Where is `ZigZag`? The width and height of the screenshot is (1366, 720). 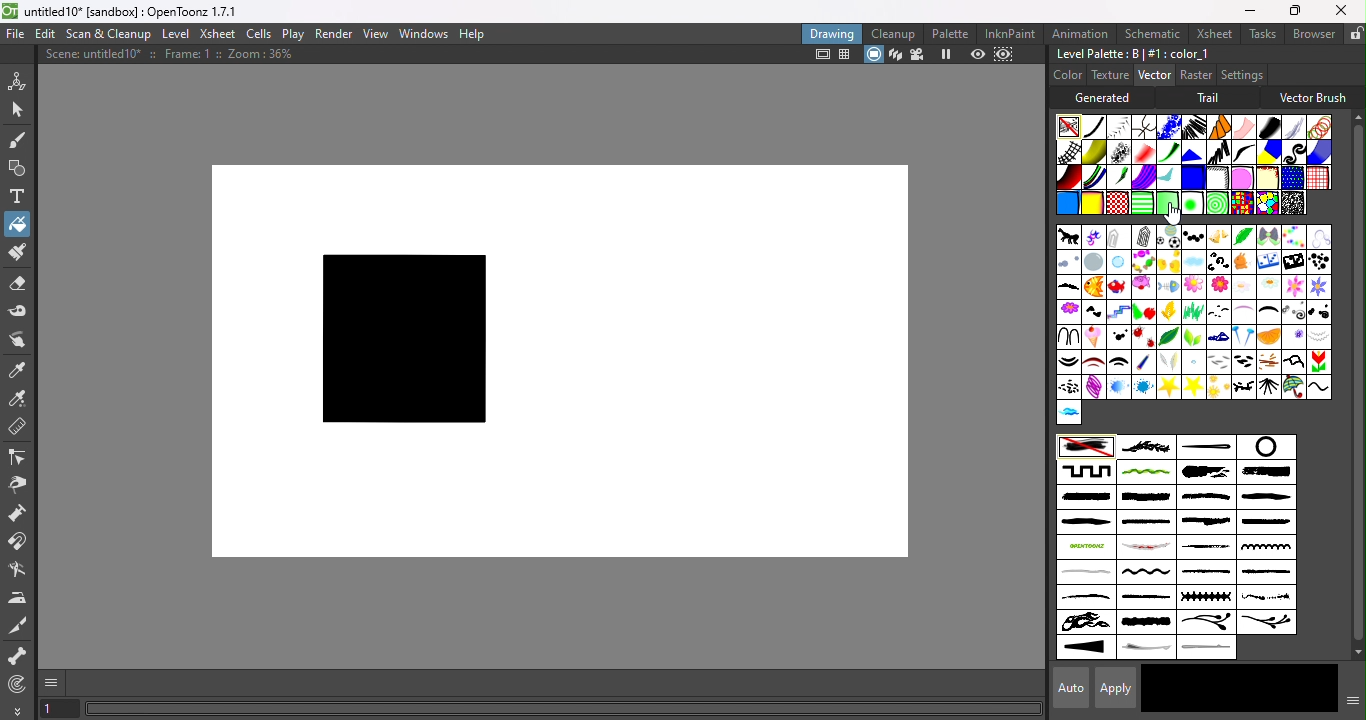 ZigZag is located at coordinates (1216, 151).